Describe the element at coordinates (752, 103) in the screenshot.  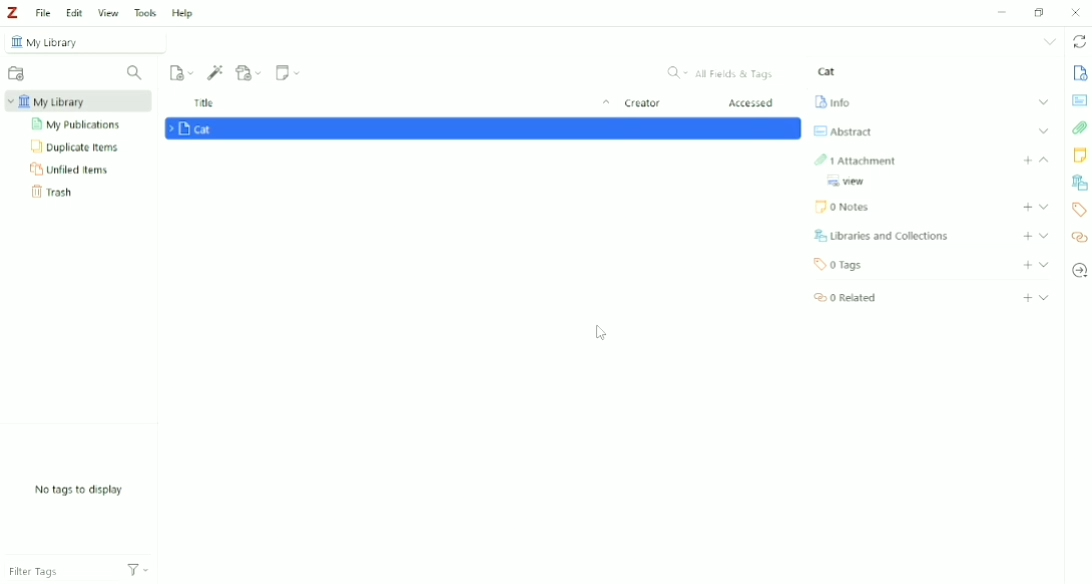
I see `Accessed` at that location.